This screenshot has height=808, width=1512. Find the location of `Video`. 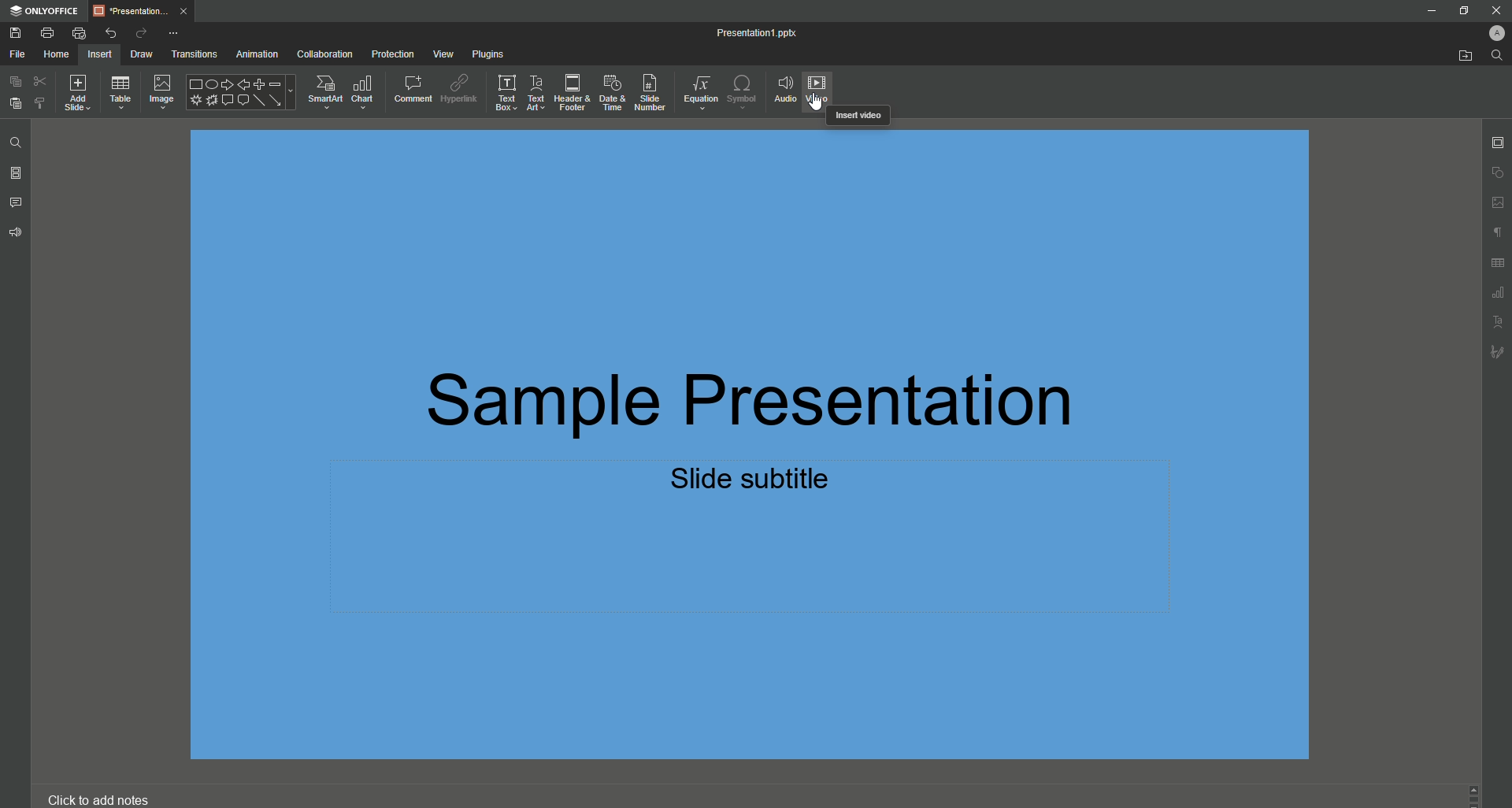

Video is located at coordinates (822, 85).